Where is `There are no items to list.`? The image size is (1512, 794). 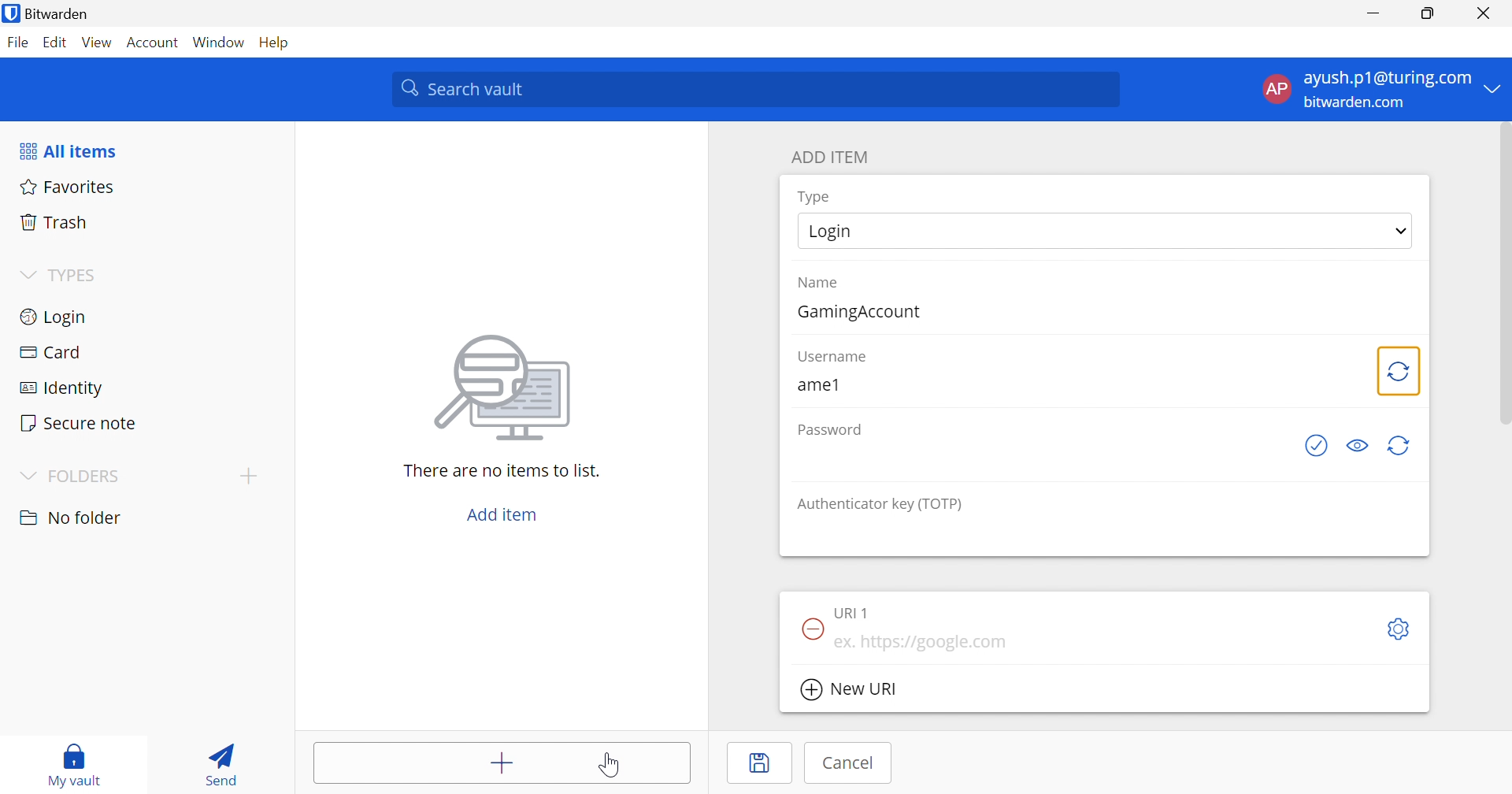 There are no items to list. is located at coordinates (502, 473).